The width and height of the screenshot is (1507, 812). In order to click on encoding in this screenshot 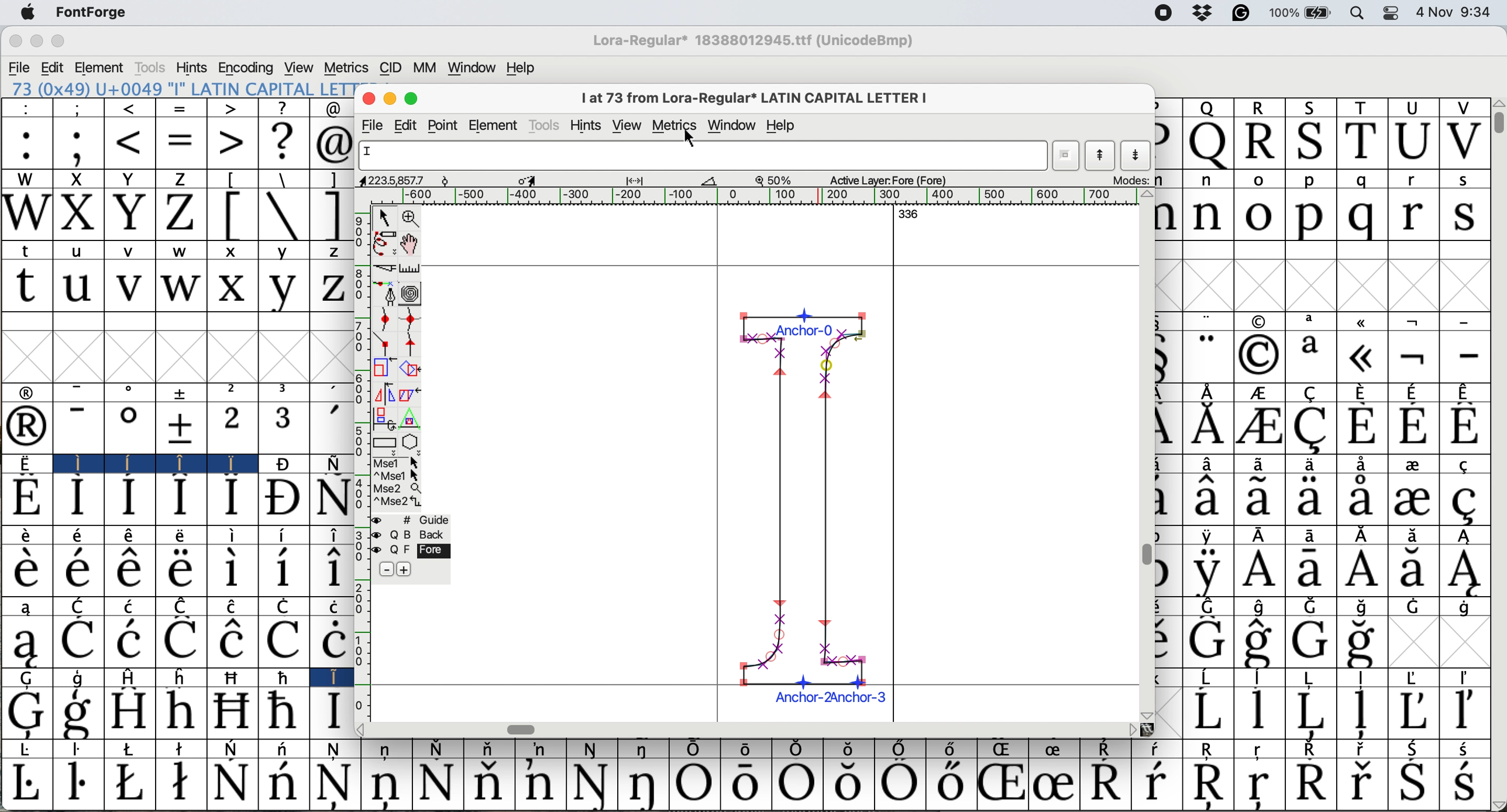, I will do `click(247, 67)`.